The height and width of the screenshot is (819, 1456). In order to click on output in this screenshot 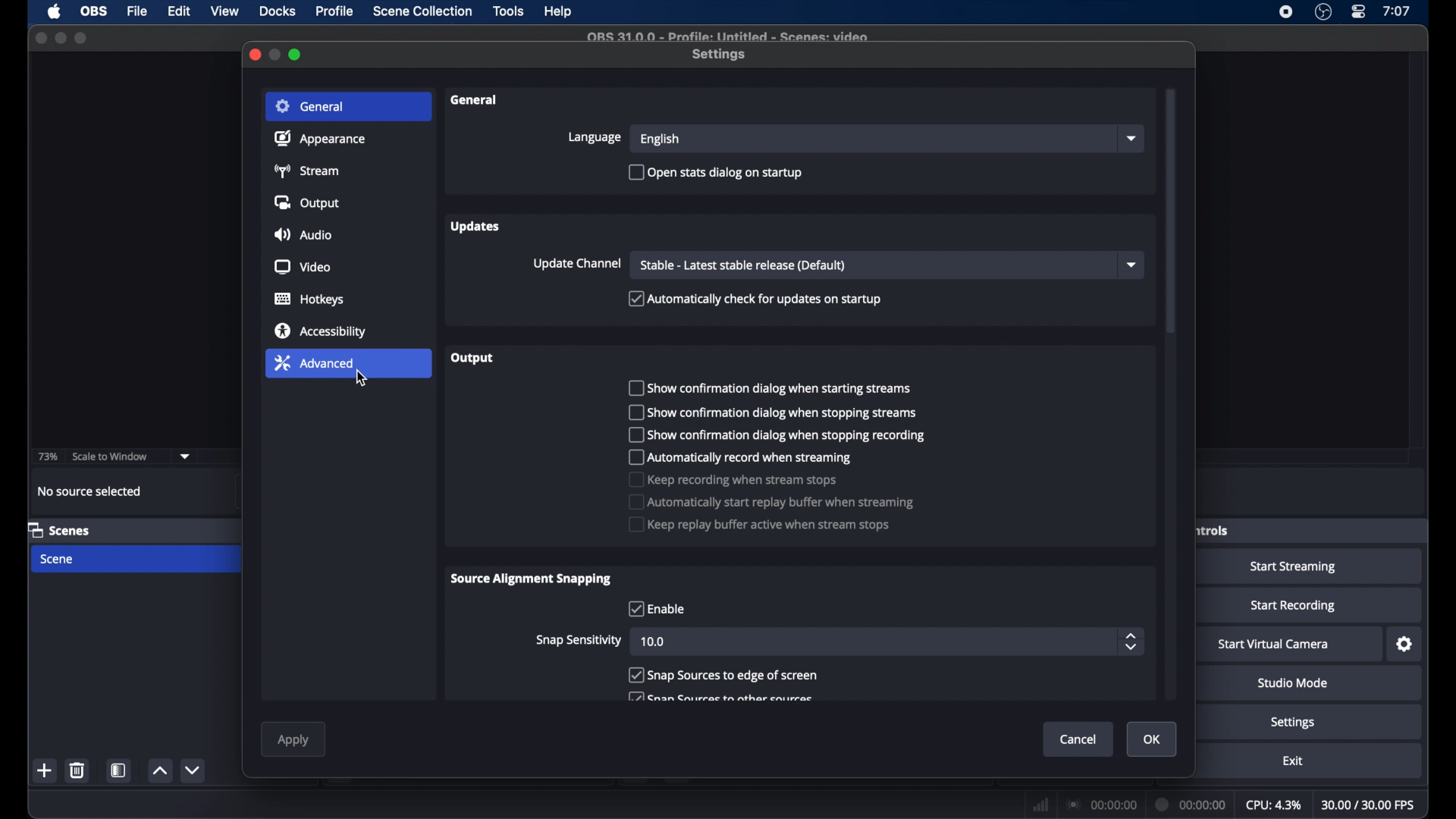, I will do `click(472, 358)`.